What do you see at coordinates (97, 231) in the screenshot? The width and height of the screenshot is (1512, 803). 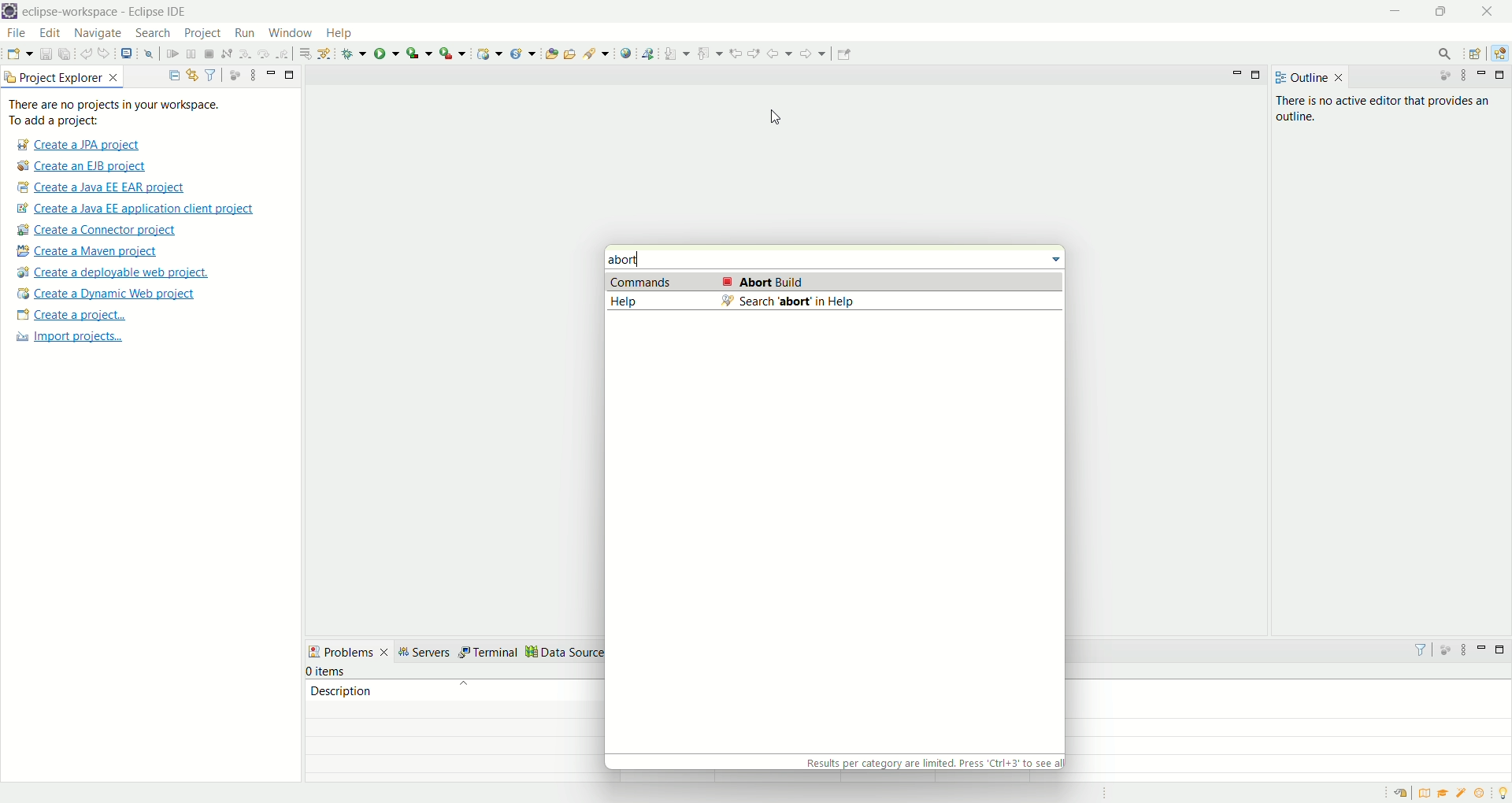 I see `create a connector project` at bounding box center [97, 231].